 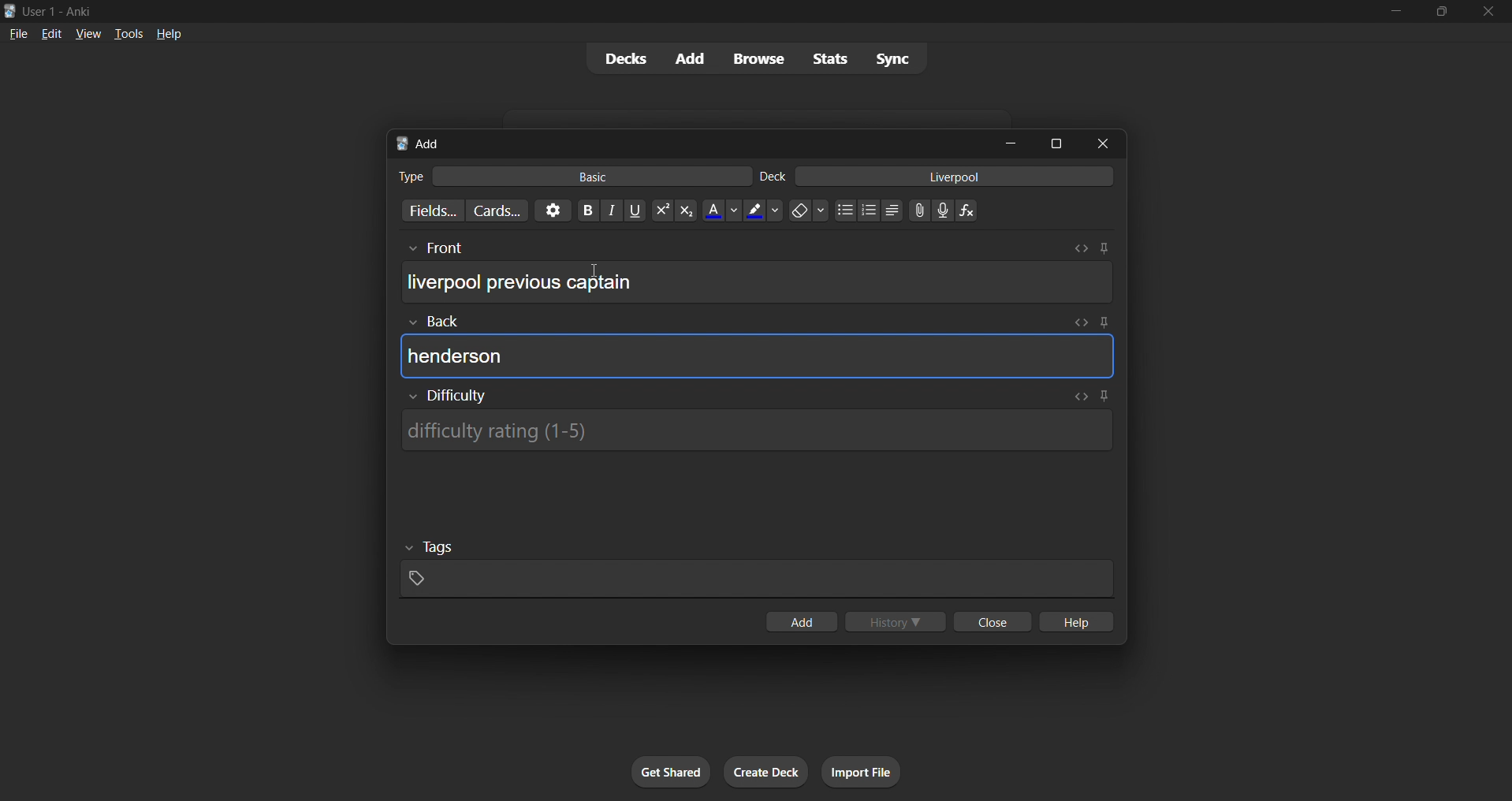 What do you see at coordinates (592, 271) in the screenshot?
I see `cursor` at bounding box center [592, 271].